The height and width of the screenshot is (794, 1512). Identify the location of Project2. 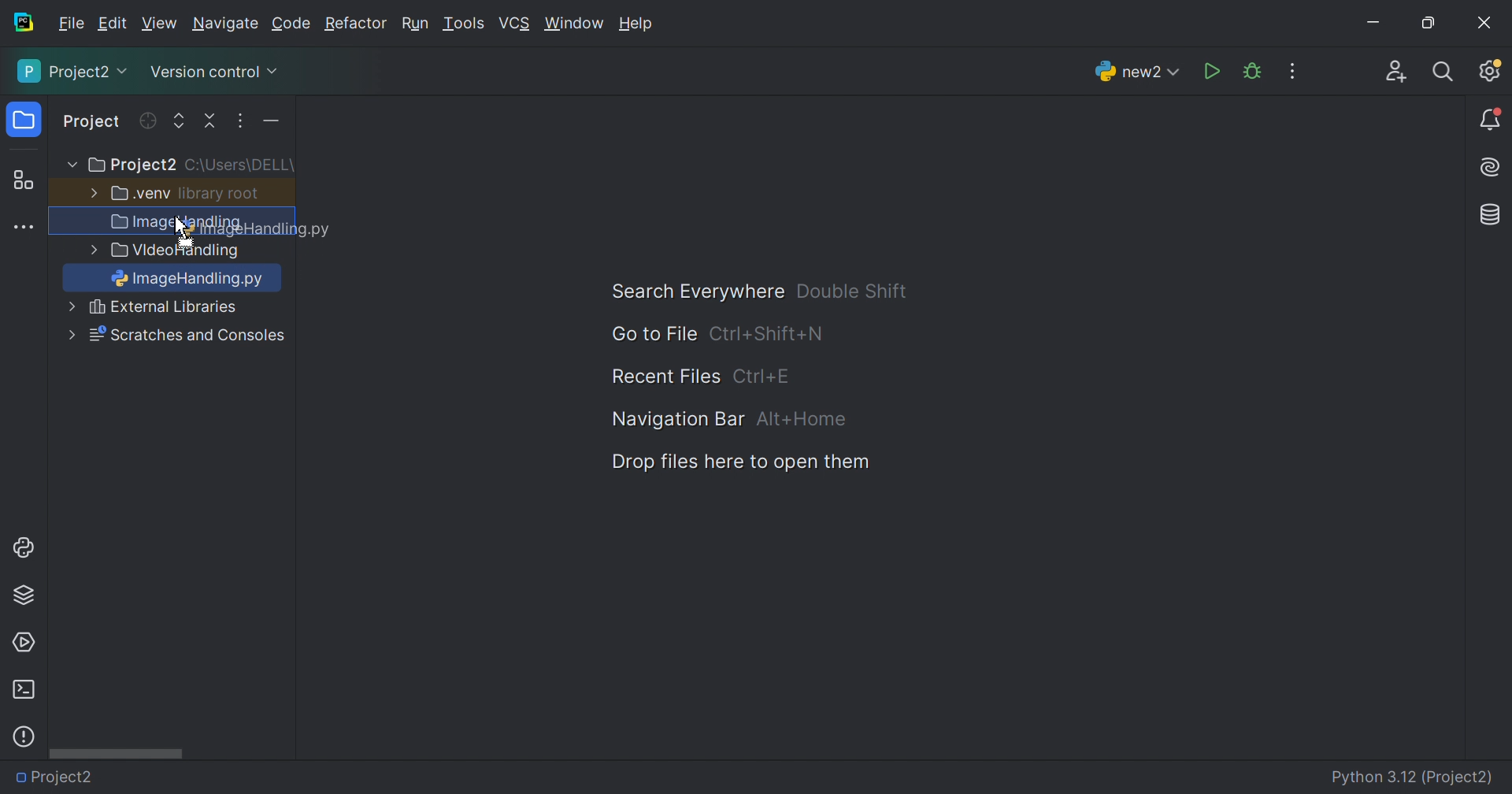
(131, 165).